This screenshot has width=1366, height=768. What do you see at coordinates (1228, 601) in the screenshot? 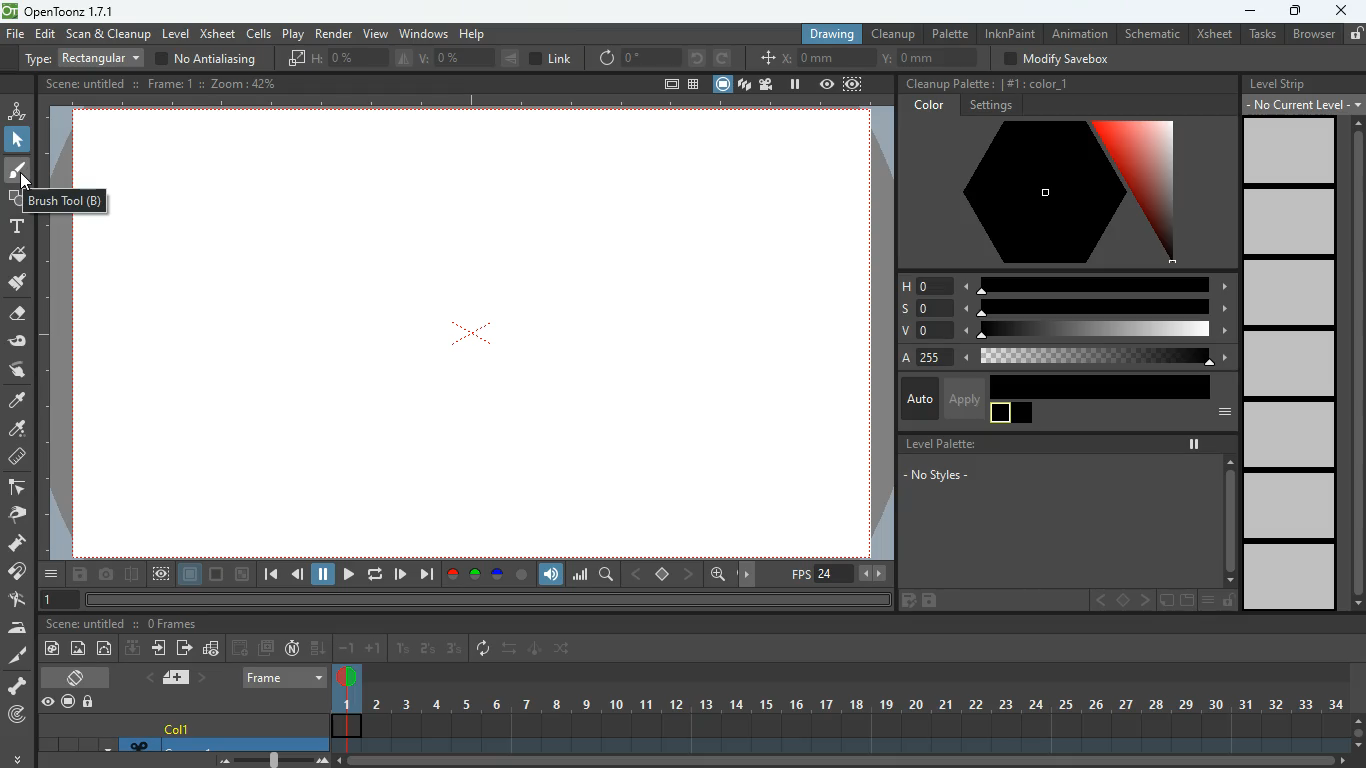
I see `unlock` at bounding box center [1228, 601].